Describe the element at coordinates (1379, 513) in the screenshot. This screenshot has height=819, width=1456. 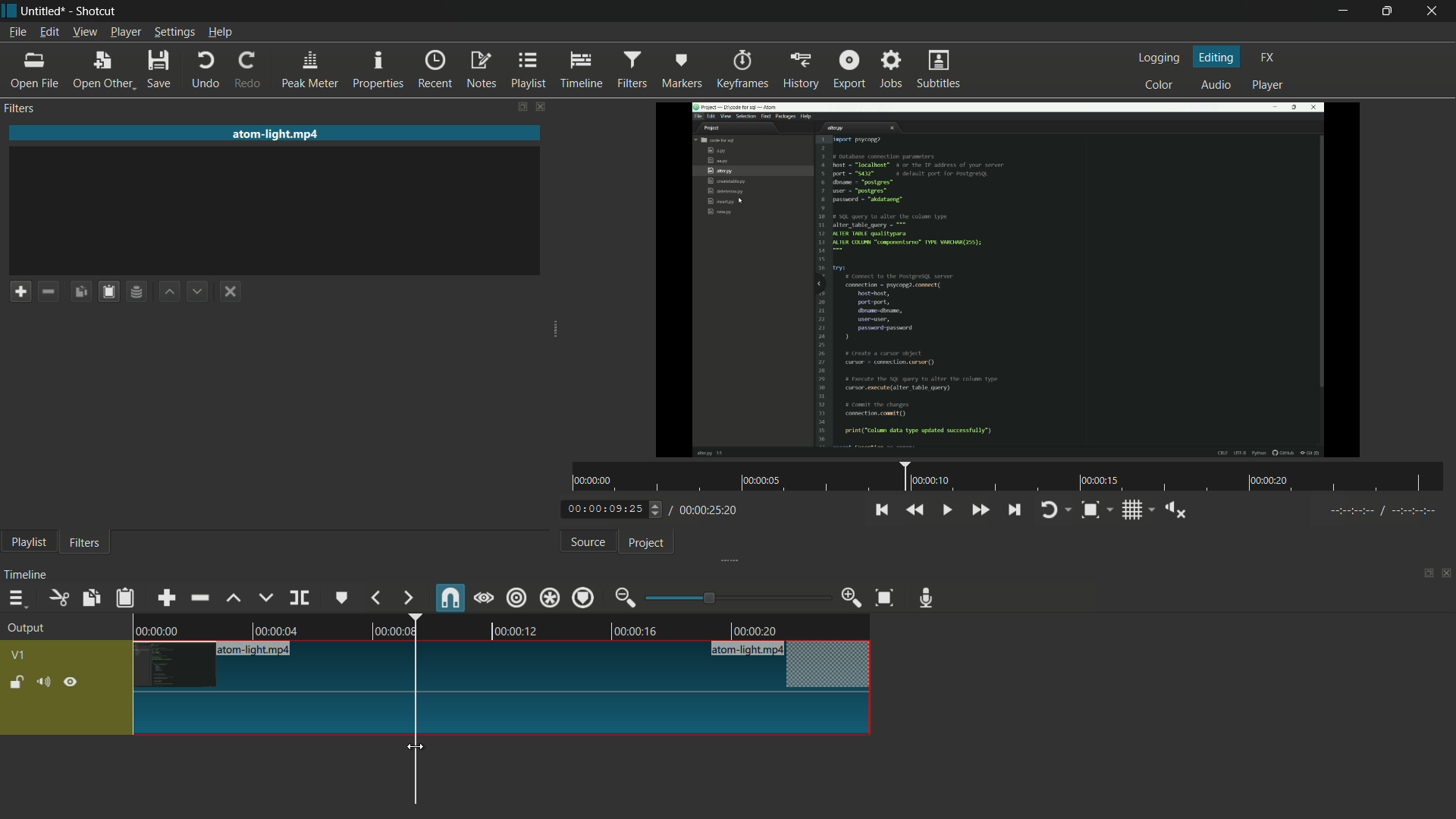
I see `` at that location.